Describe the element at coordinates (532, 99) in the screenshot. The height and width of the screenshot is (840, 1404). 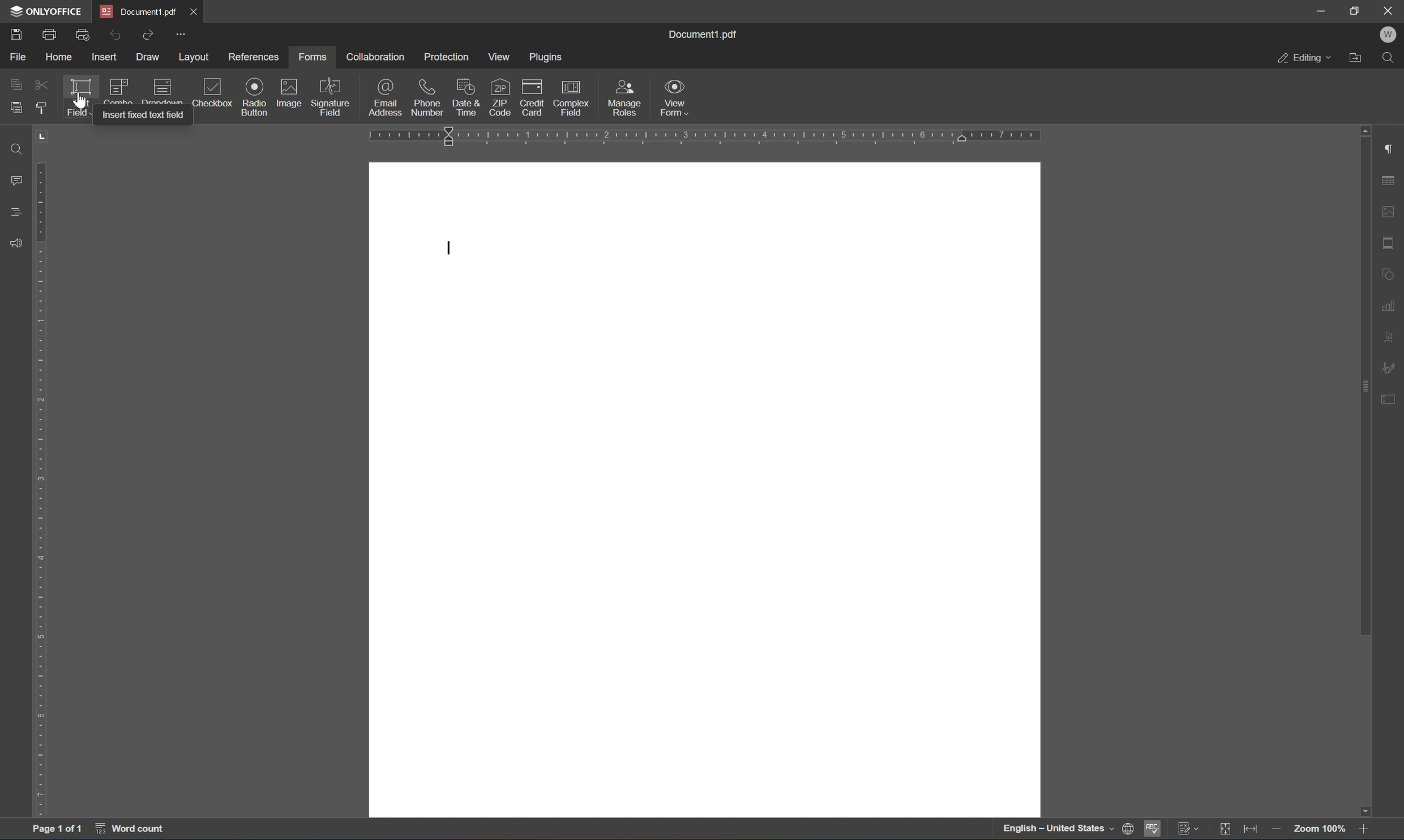
I see `credit card` at that location.